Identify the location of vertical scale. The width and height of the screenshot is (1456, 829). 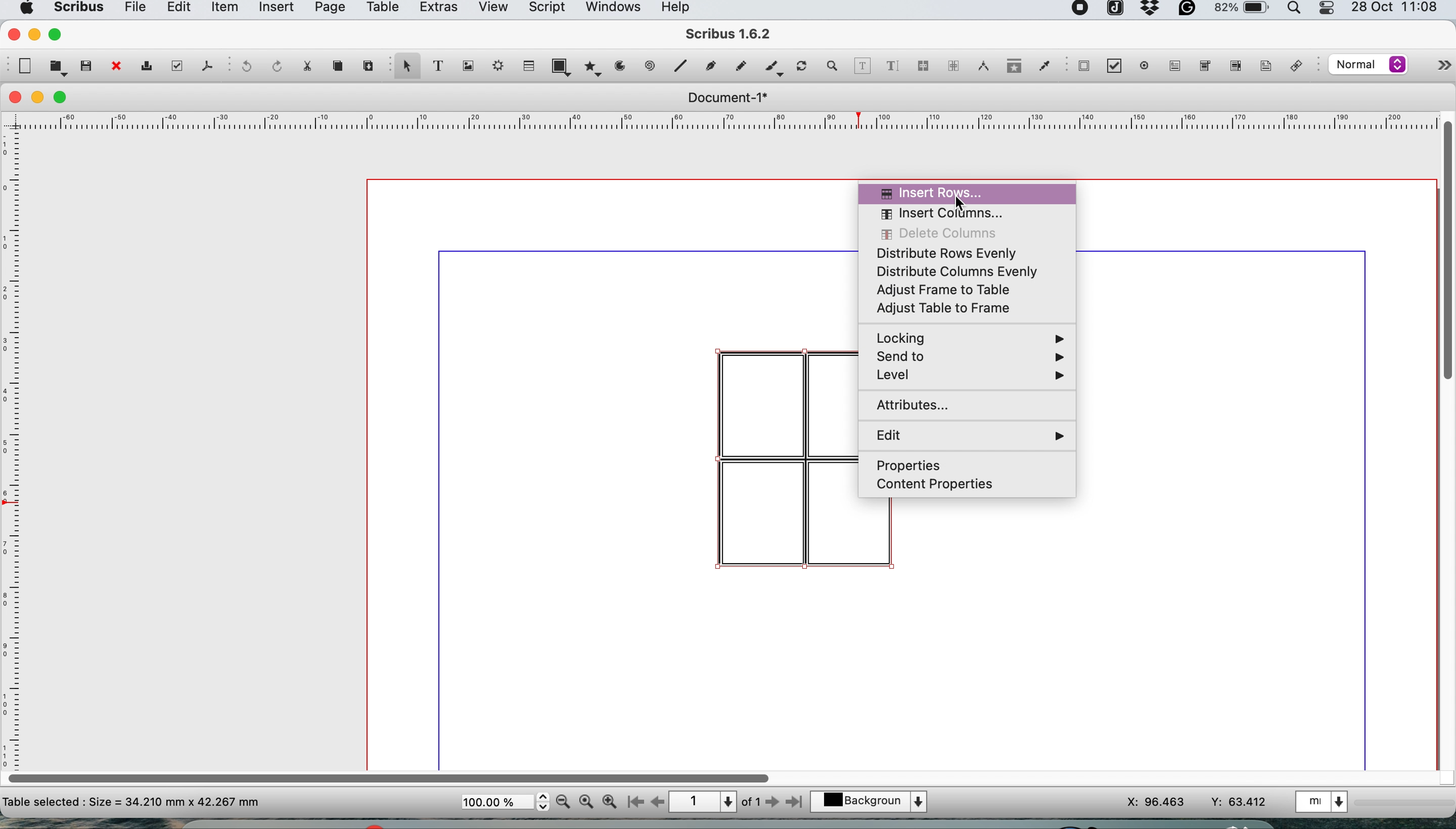
(14, 437).